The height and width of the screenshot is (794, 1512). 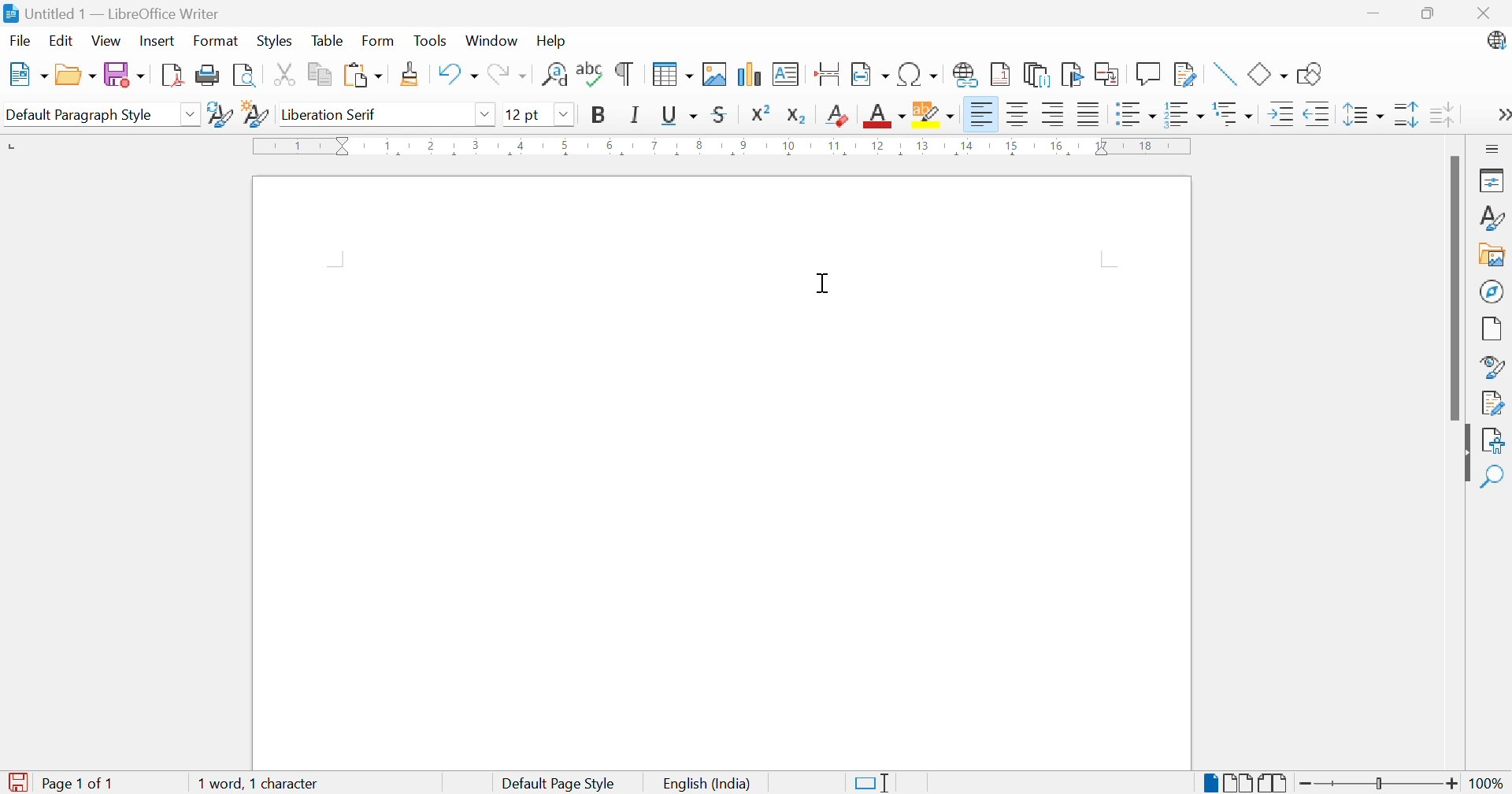 I want to click on Zoom Out, so click(x=1306, y=782).